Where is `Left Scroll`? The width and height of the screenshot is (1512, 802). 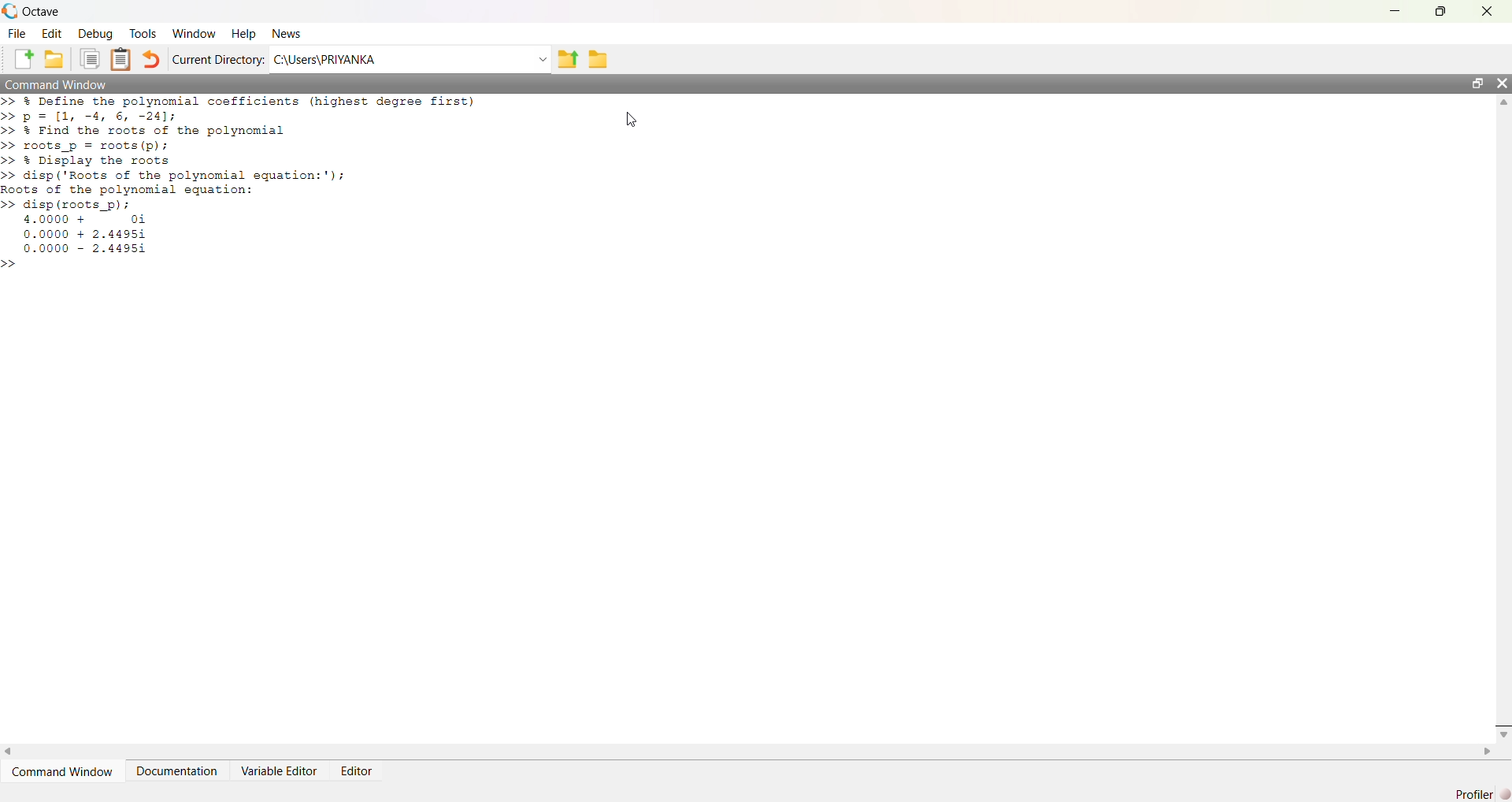 Left Scroll is located at coordinates (9, 750).